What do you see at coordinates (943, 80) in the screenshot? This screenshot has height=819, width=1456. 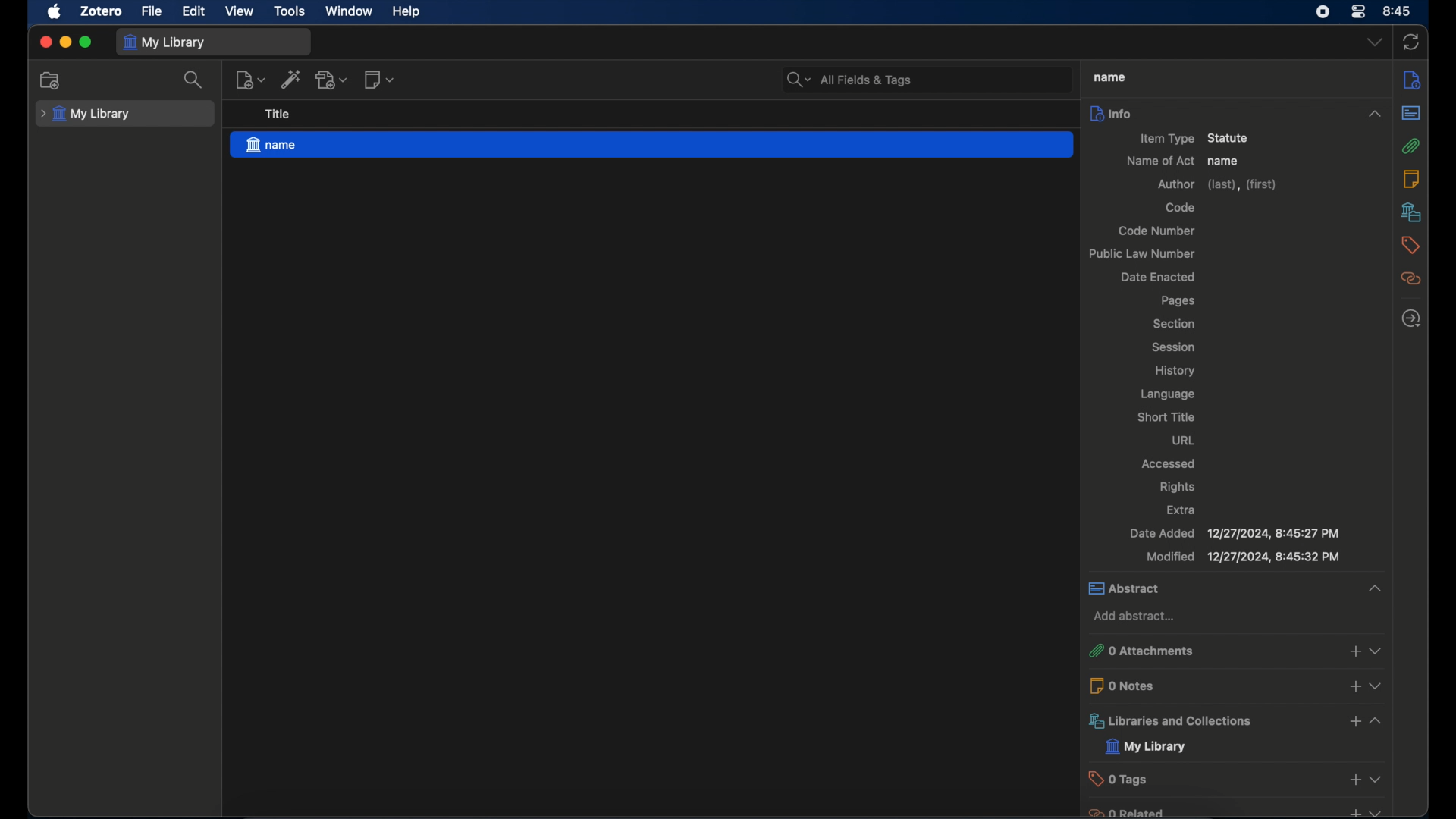 I see `search bar input` at bounding box center [943, 80].